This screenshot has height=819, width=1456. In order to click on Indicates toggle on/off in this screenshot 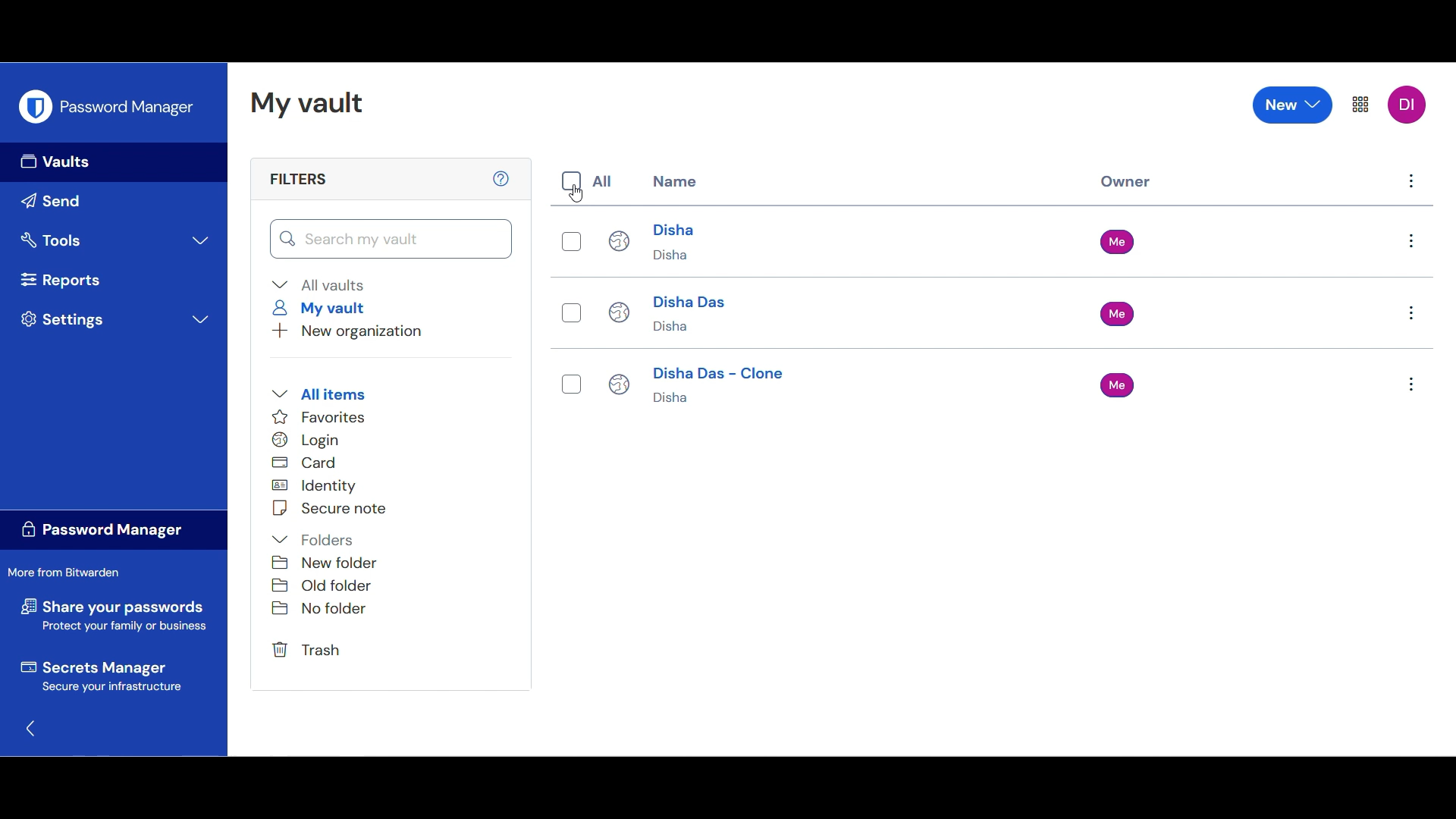, I will do `click(570, 312)`.